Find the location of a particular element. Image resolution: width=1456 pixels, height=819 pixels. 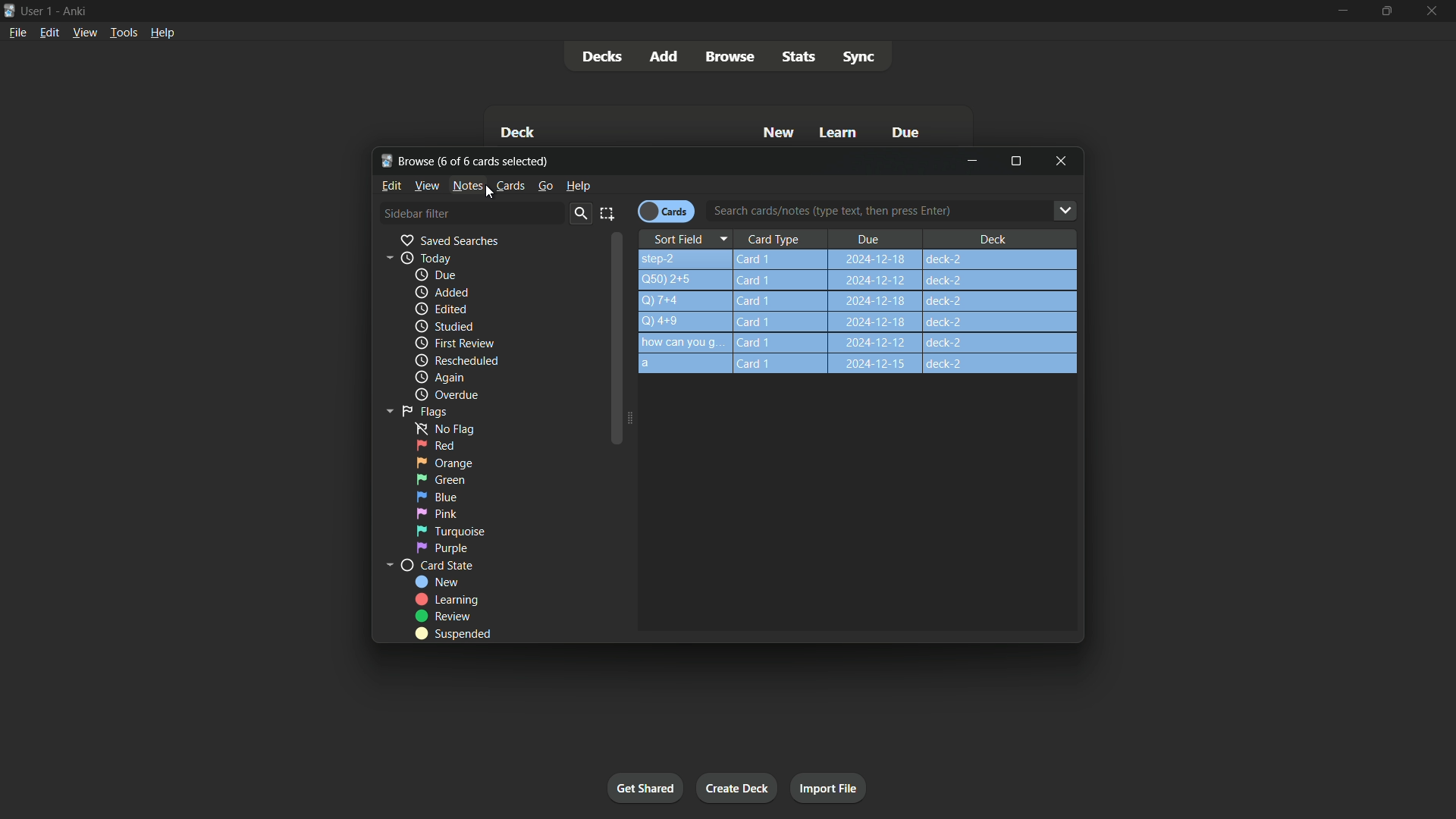

File menu is located at coordinates (16, 35).